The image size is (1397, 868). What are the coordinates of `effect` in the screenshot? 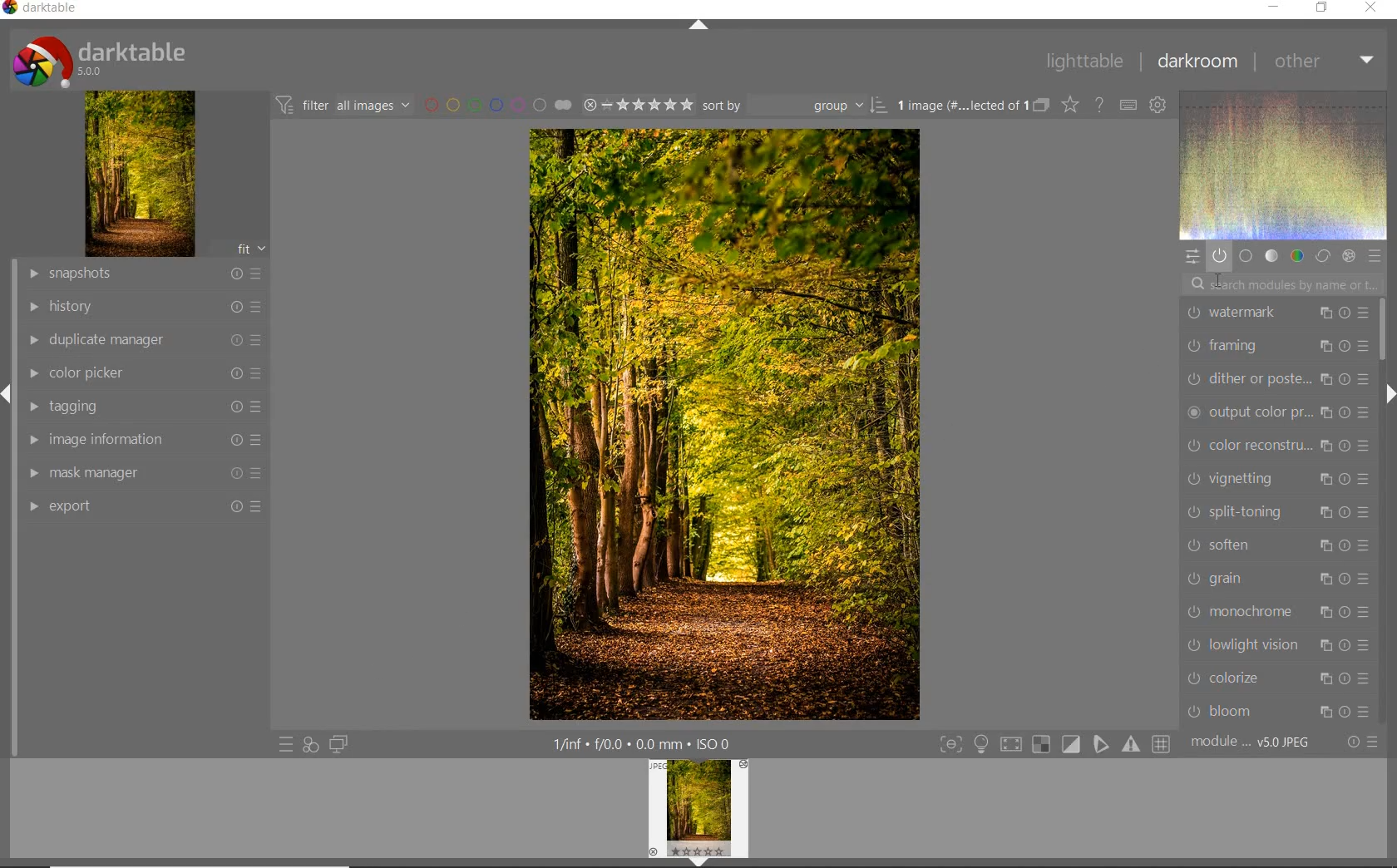 It's located at (1349, 254).